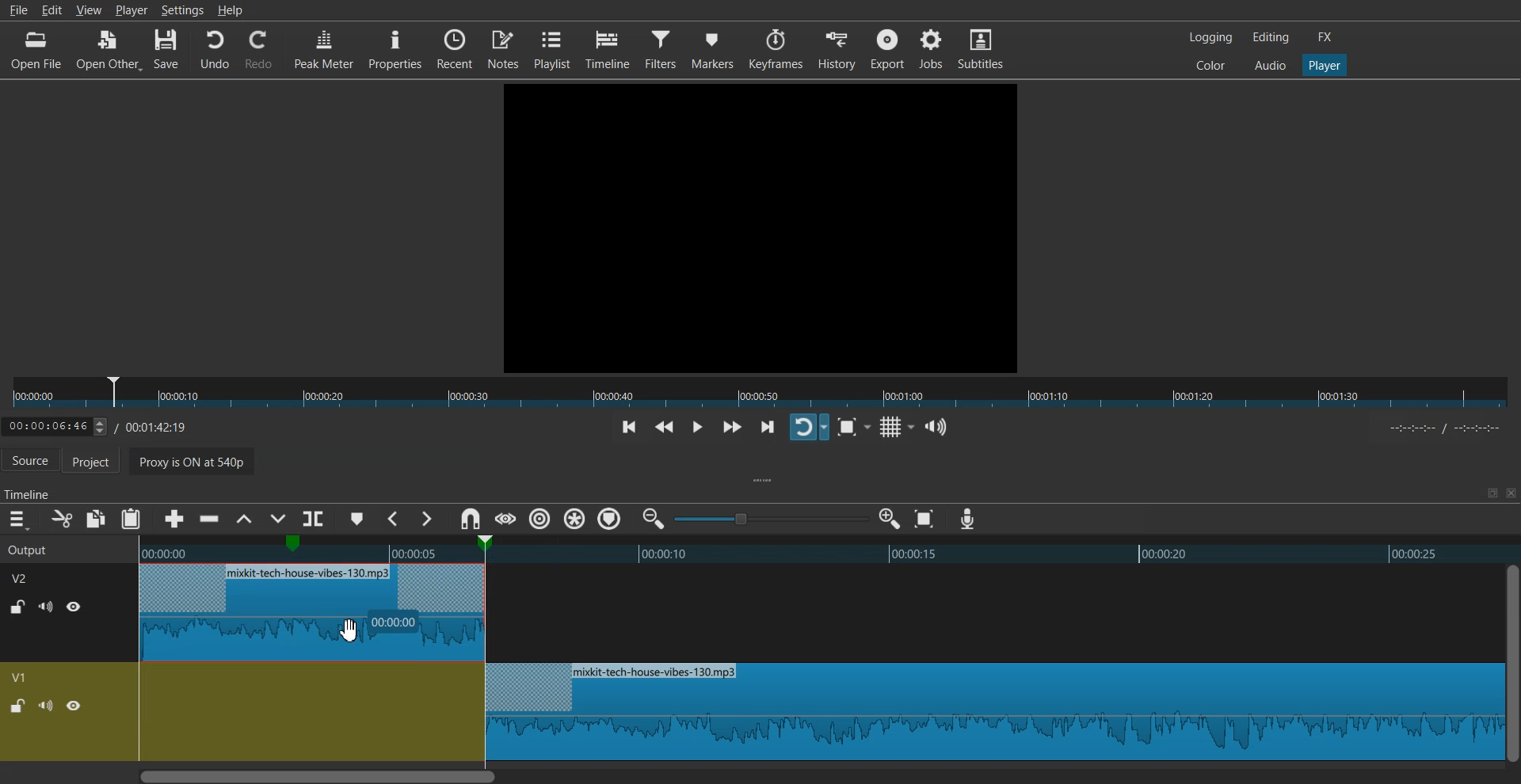  I want to click on Show the volume control, so click(936, 428).